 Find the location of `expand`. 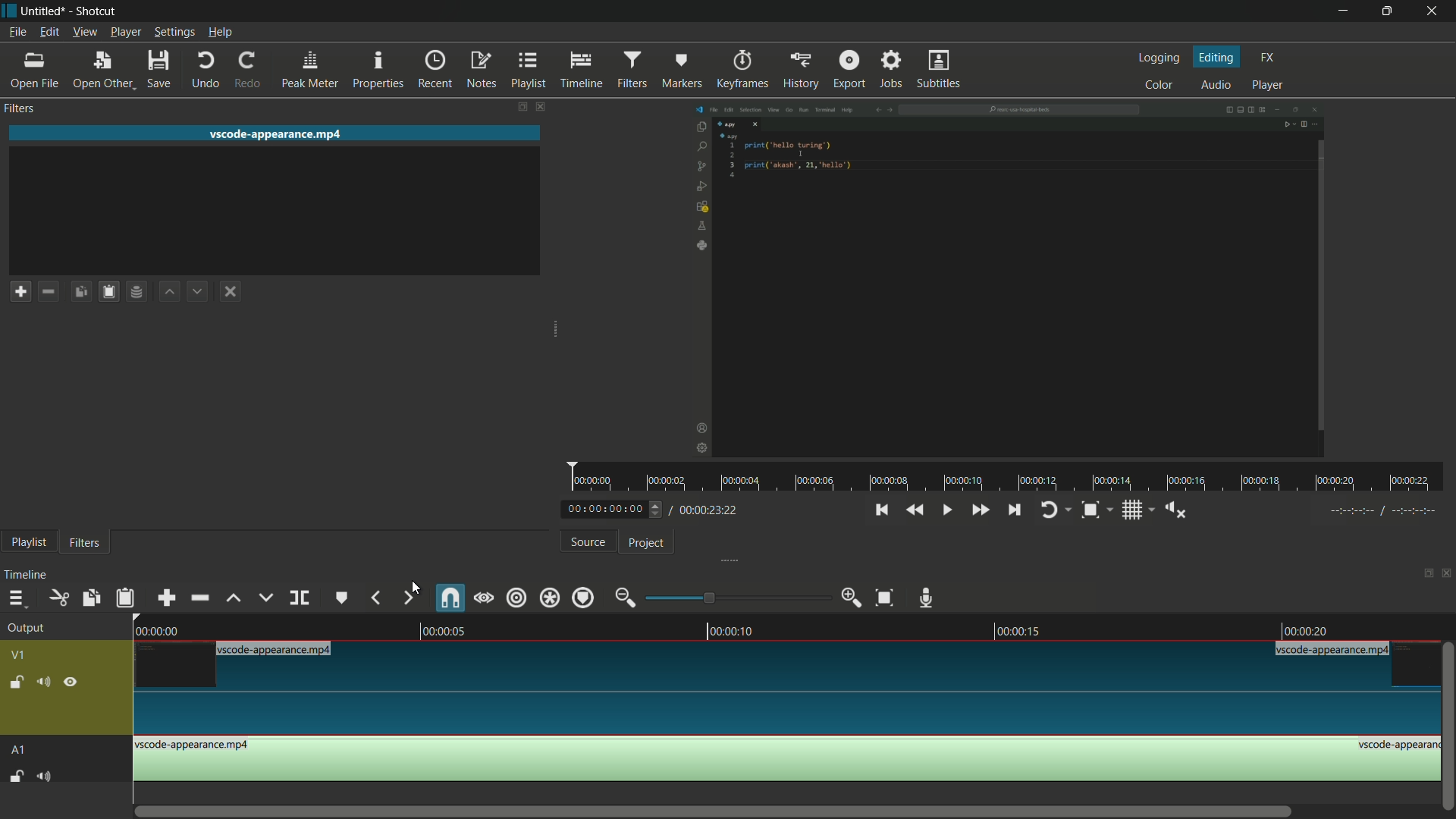

expand is located at coordinates (723, 560).